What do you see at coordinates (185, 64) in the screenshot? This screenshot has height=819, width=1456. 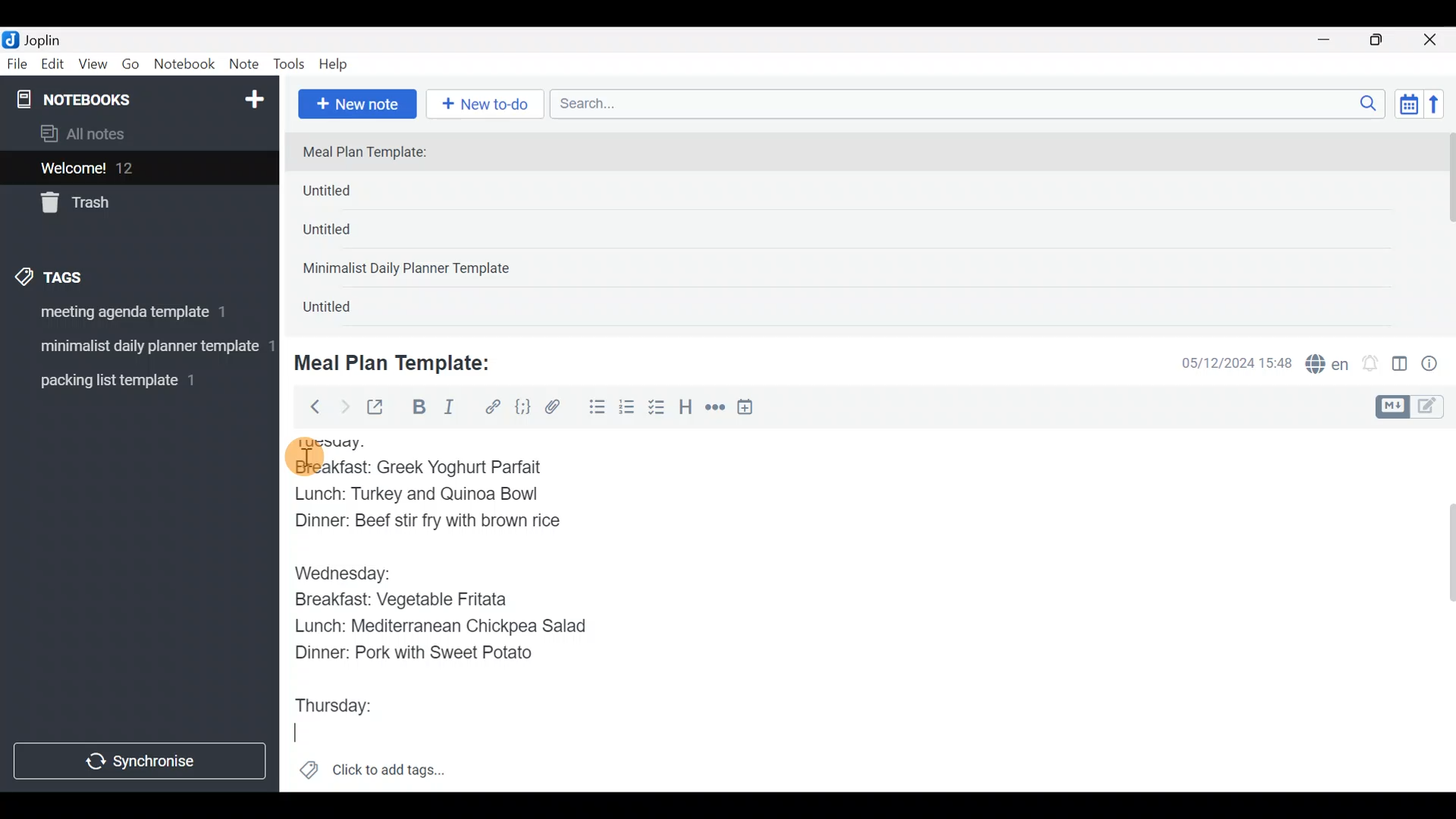 I see `Notebook` at bounding box center [185, 64].